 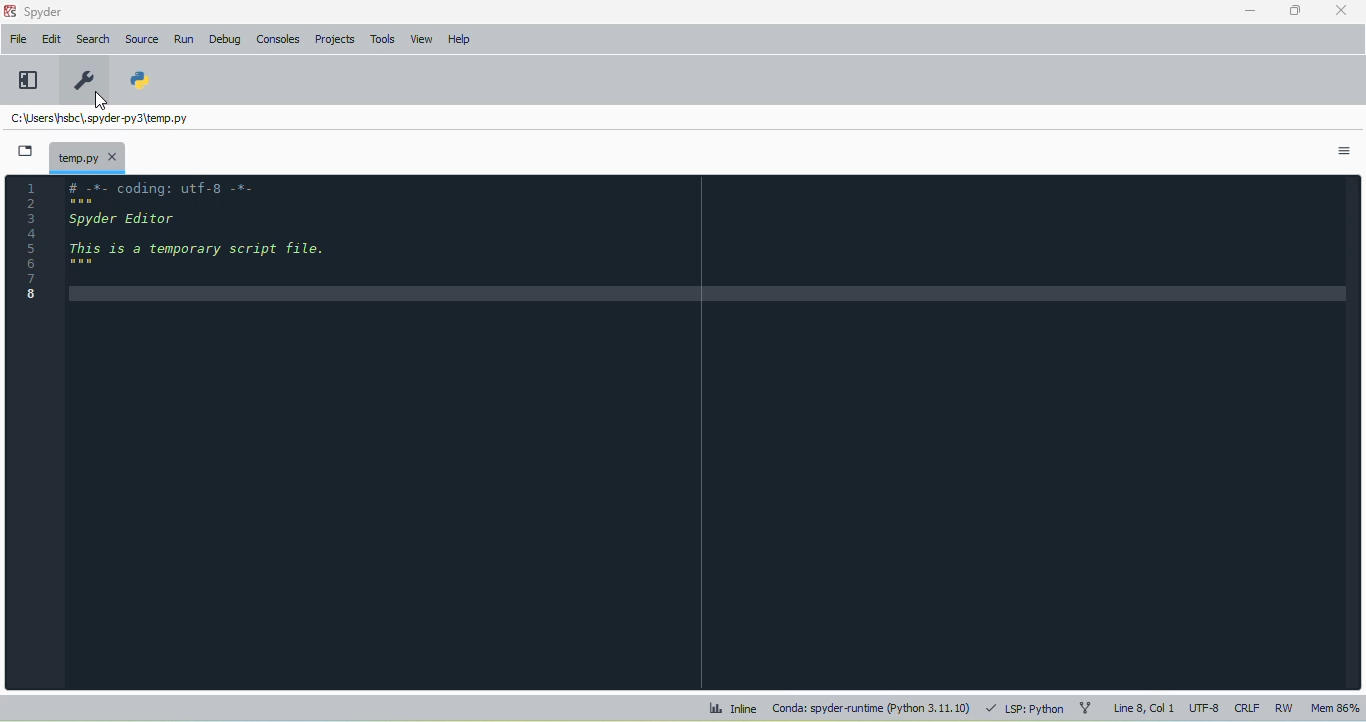 What do you see at coordinates (1334, 707) in the screenshot?
I see `mem 85%` at bounding box center [1334, 707].